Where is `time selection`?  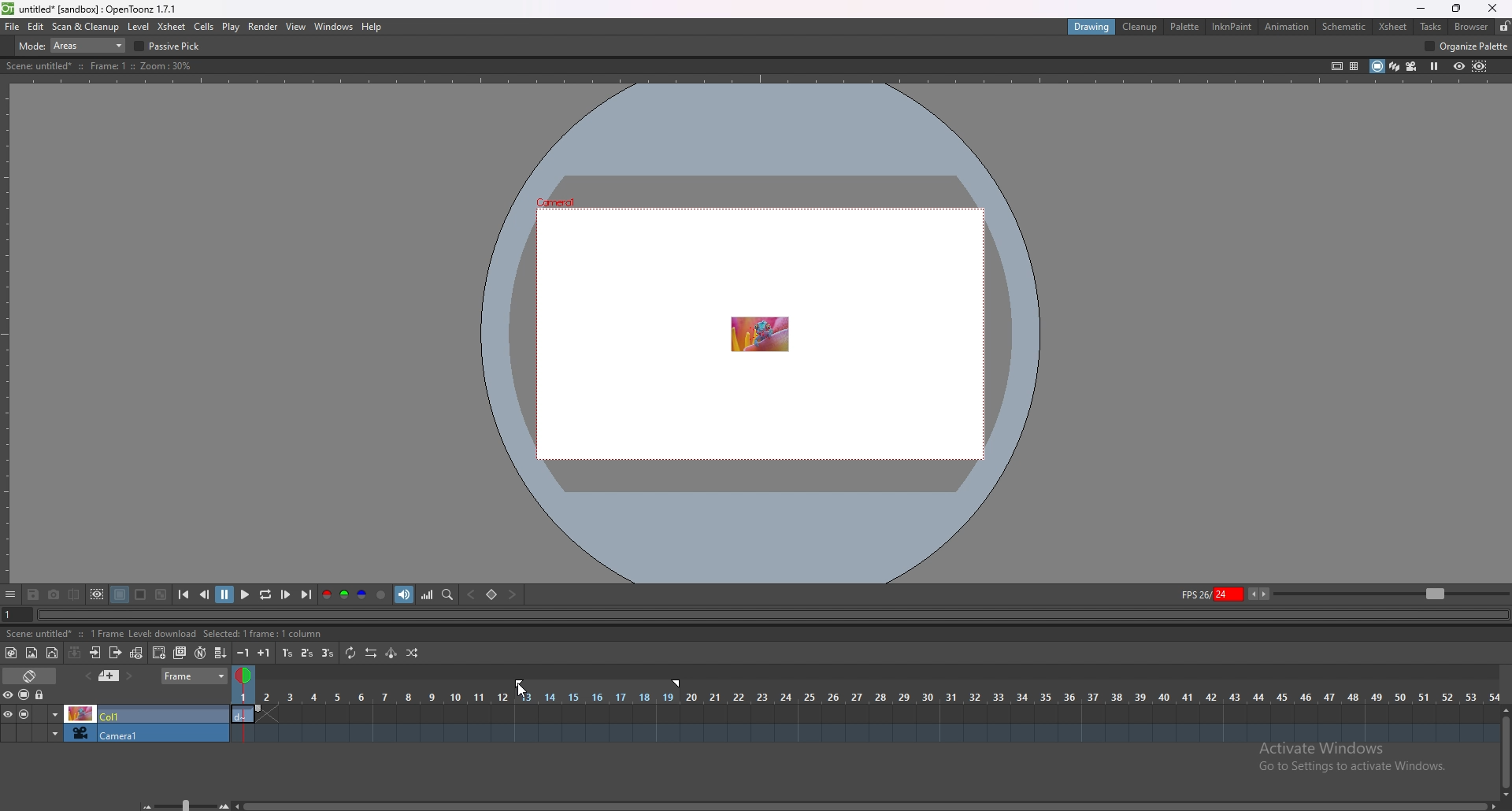
time selection is located at coordinates (242, 672).